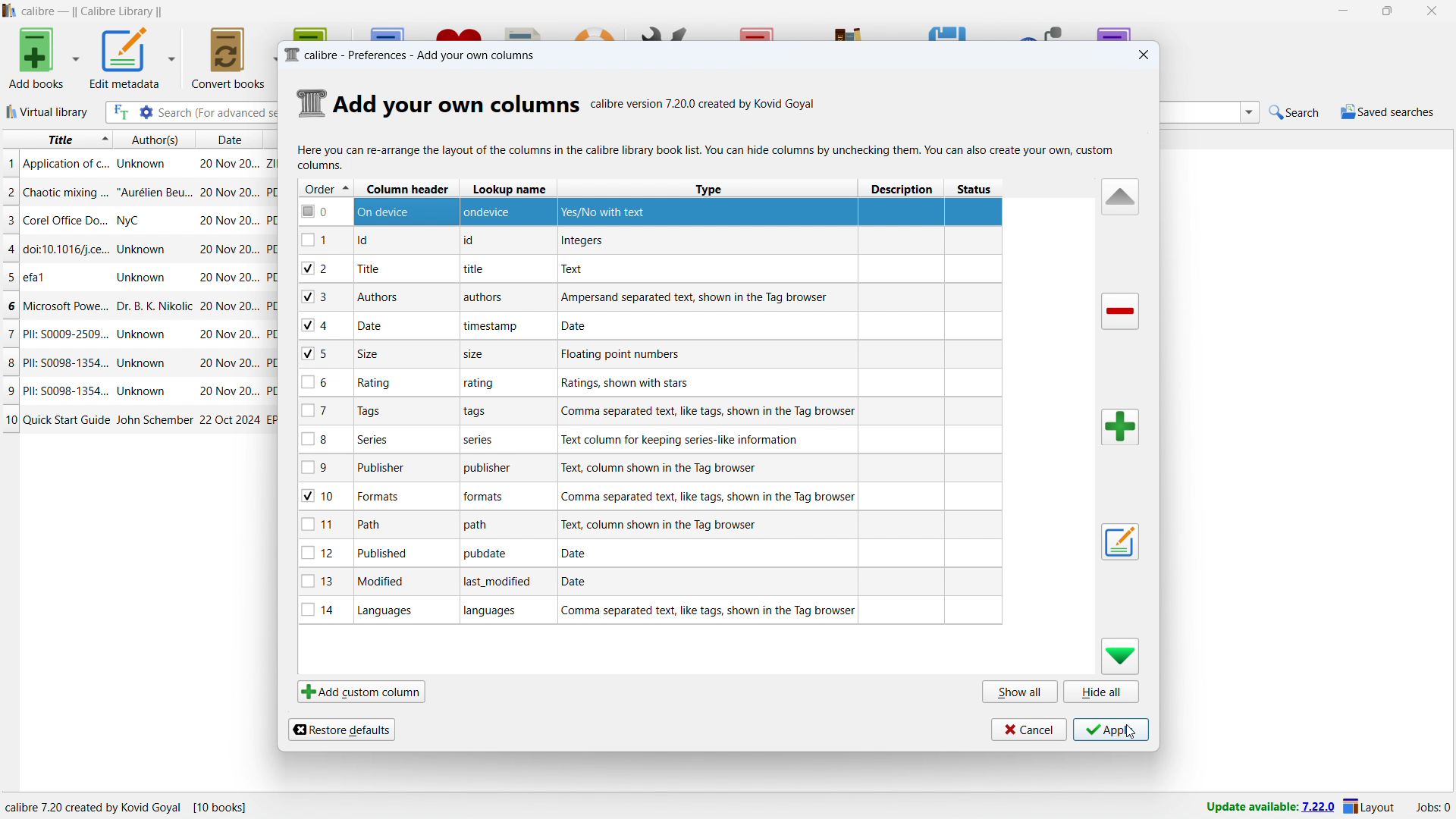 This screenshot has width=1456, height=819. What do you see at coordinates (67, 334) in the screenshot?
I see `title` at bounding box center [67, 334].